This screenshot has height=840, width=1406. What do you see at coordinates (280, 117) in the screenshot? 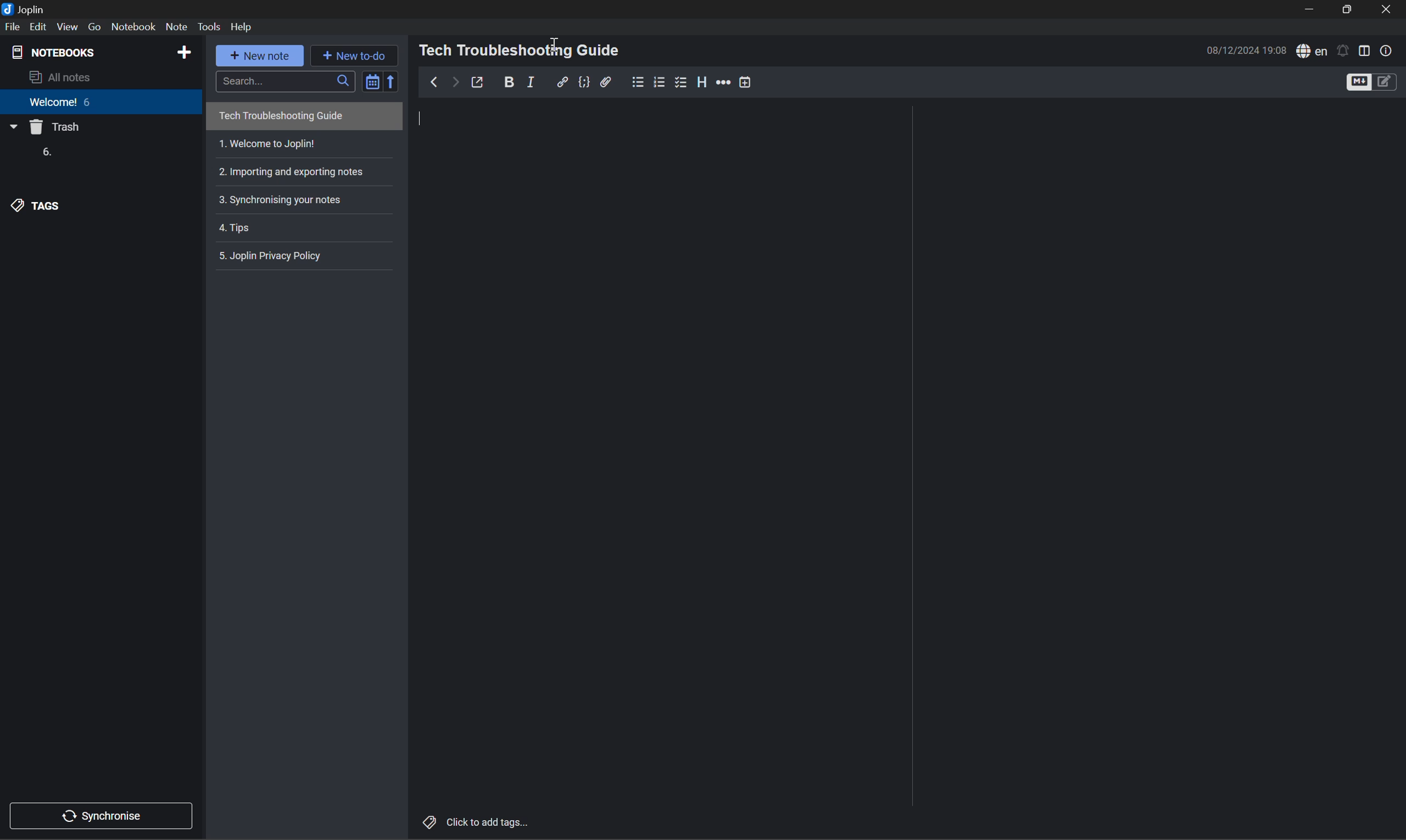
I see `Tech Troubleshooting Guide` at bounding box center [280, 117].